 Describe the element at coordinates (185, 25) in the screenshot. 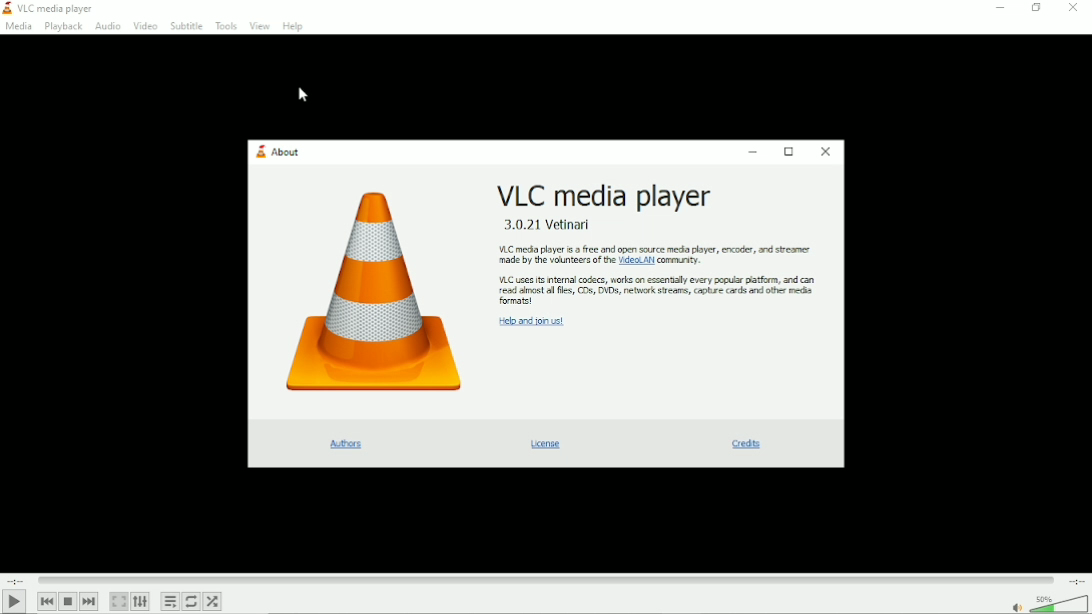

I see `Subtitle` at that location.